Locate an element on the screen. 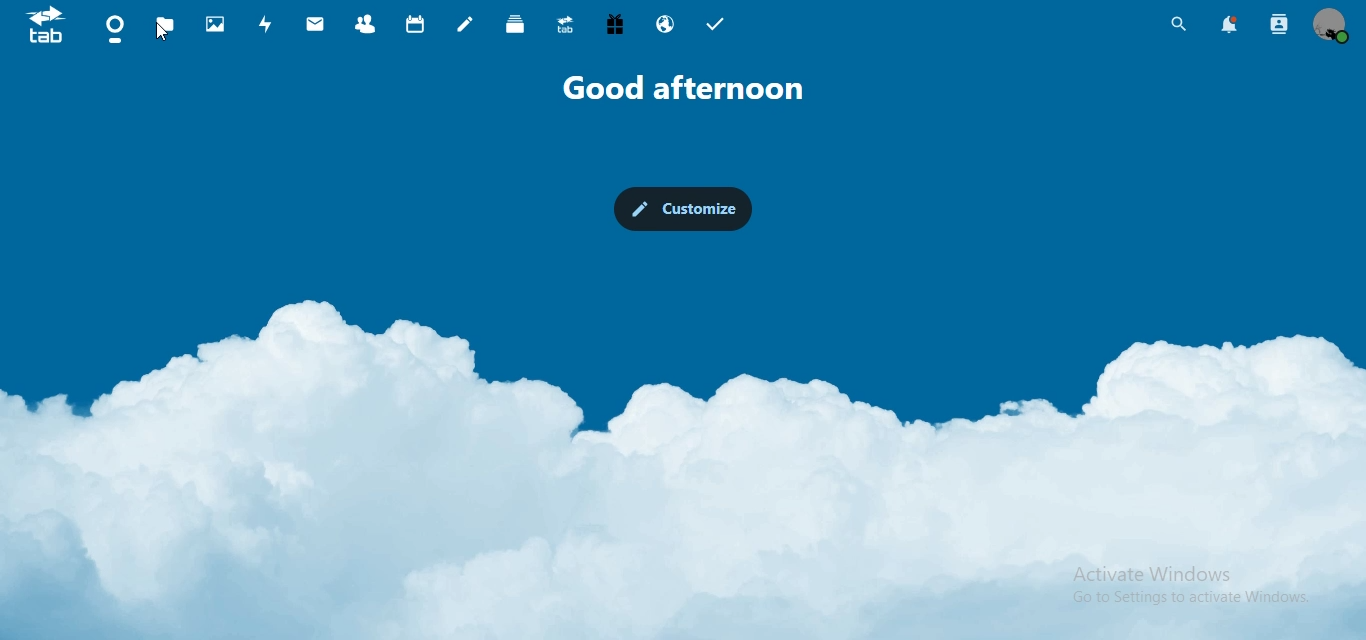  contact is located at coordinates (366, 22).